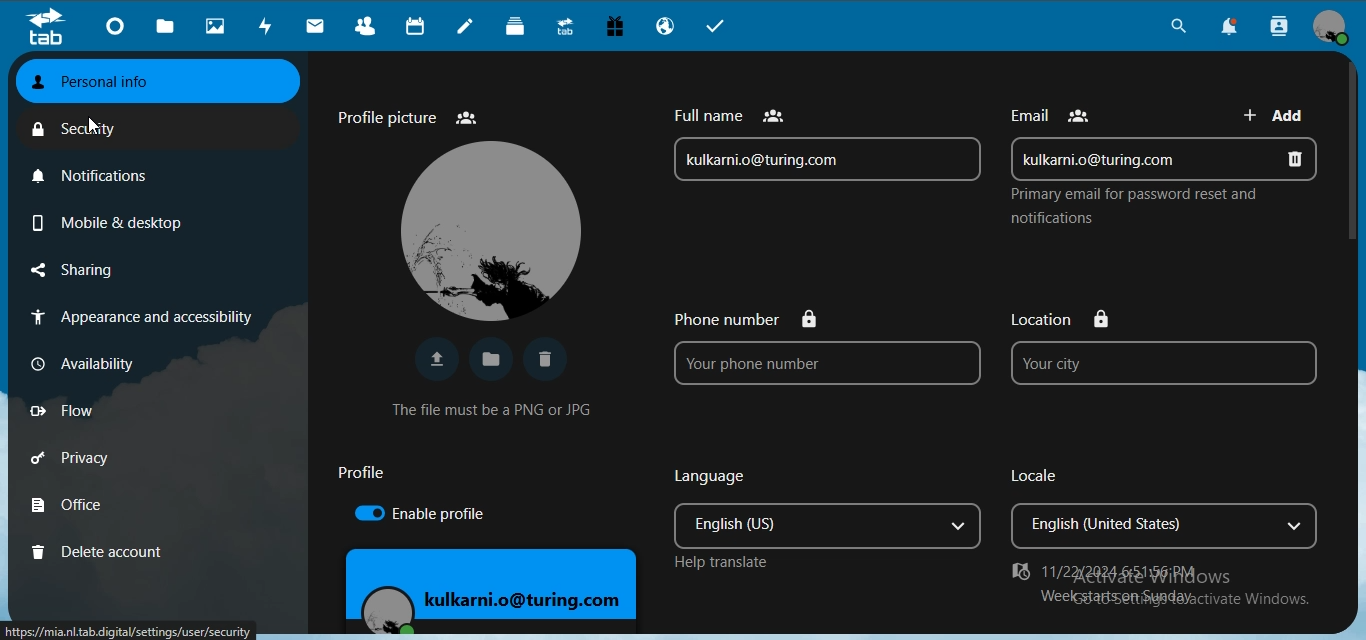 The width and height of the screenshot is (1366, 640). I want to click on profile picture, so click(410, 119).